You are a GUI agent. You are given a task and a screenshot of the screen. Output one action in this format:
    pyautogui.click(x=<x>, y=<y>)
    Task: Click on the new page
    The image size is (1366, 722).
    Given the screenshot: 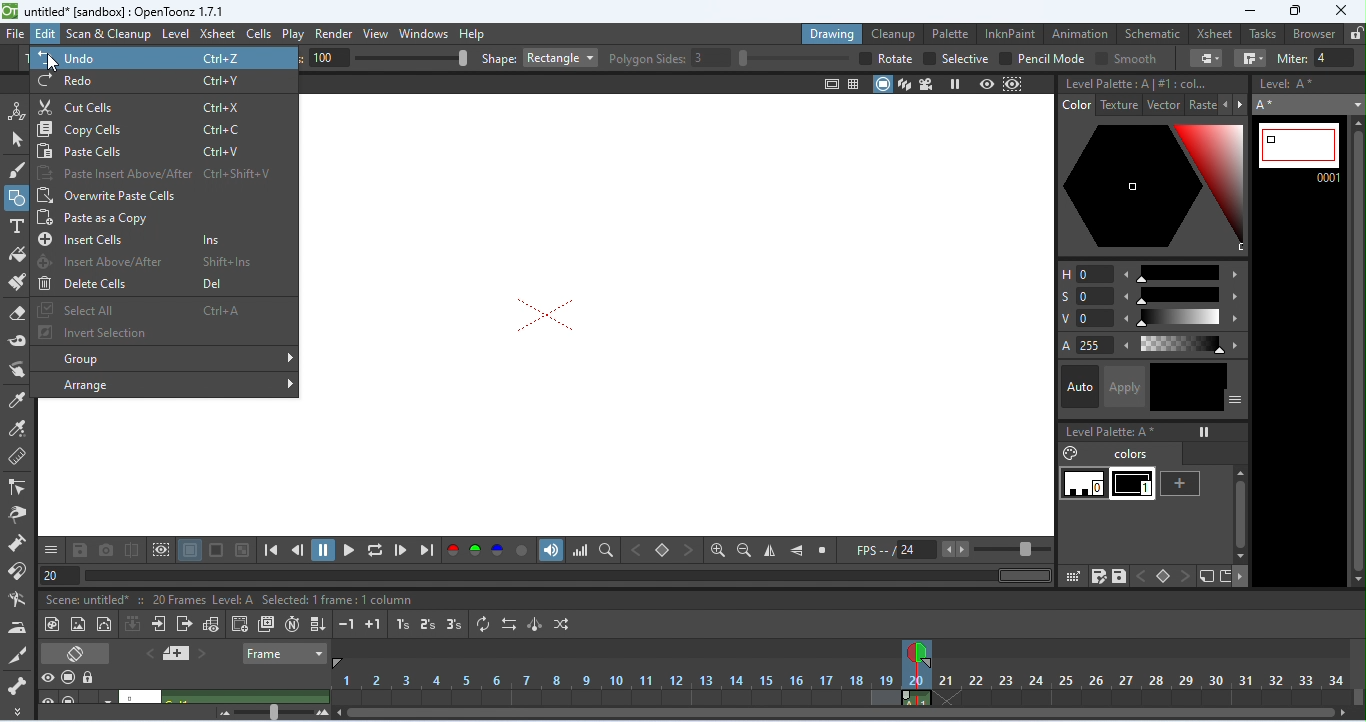 What is the action you would take?
    pyautogui.click(x=1226, y=576)
    